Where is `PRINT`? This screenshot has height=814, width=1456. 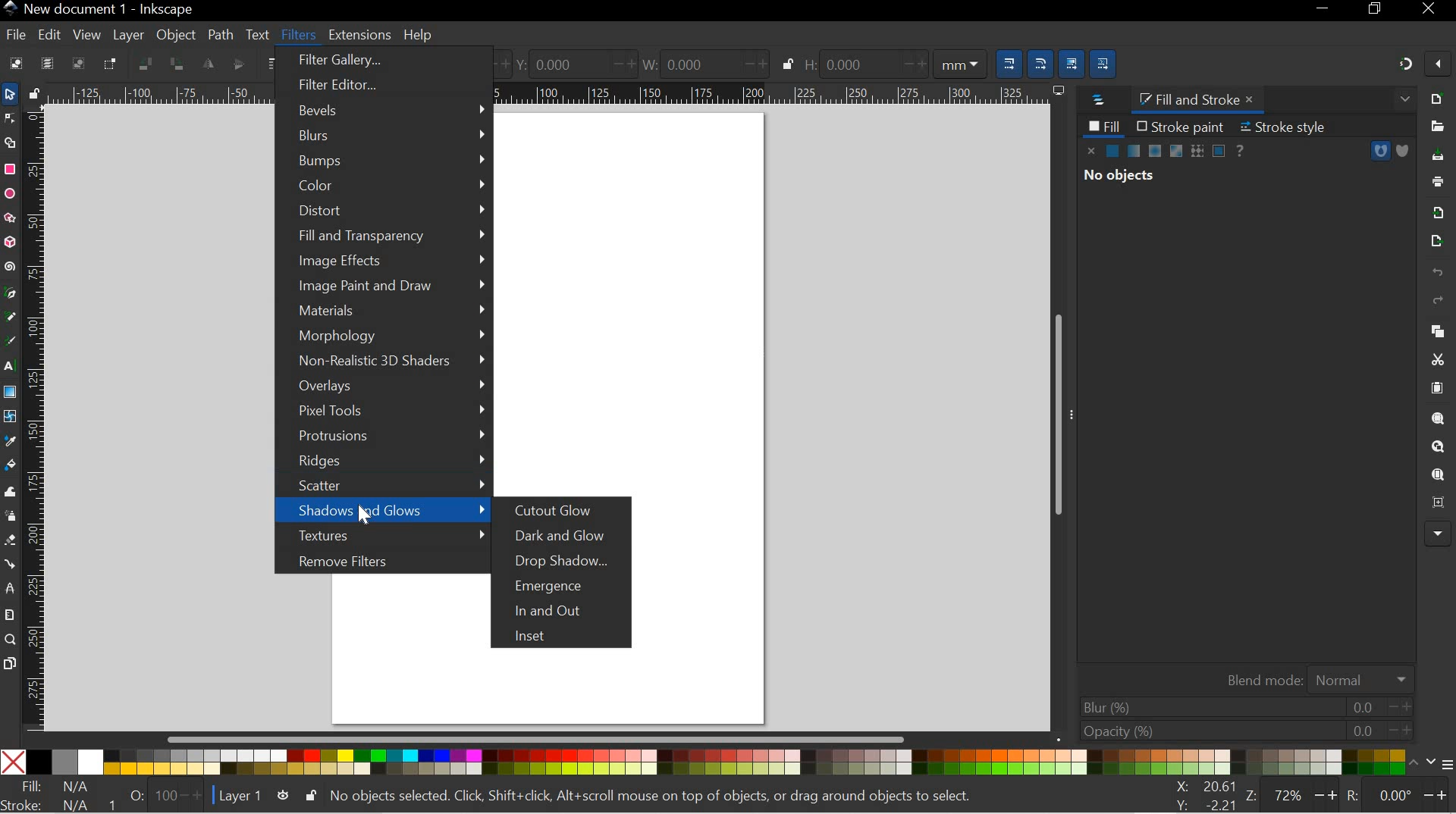
PRINT is located at coordinates (1441, 180).